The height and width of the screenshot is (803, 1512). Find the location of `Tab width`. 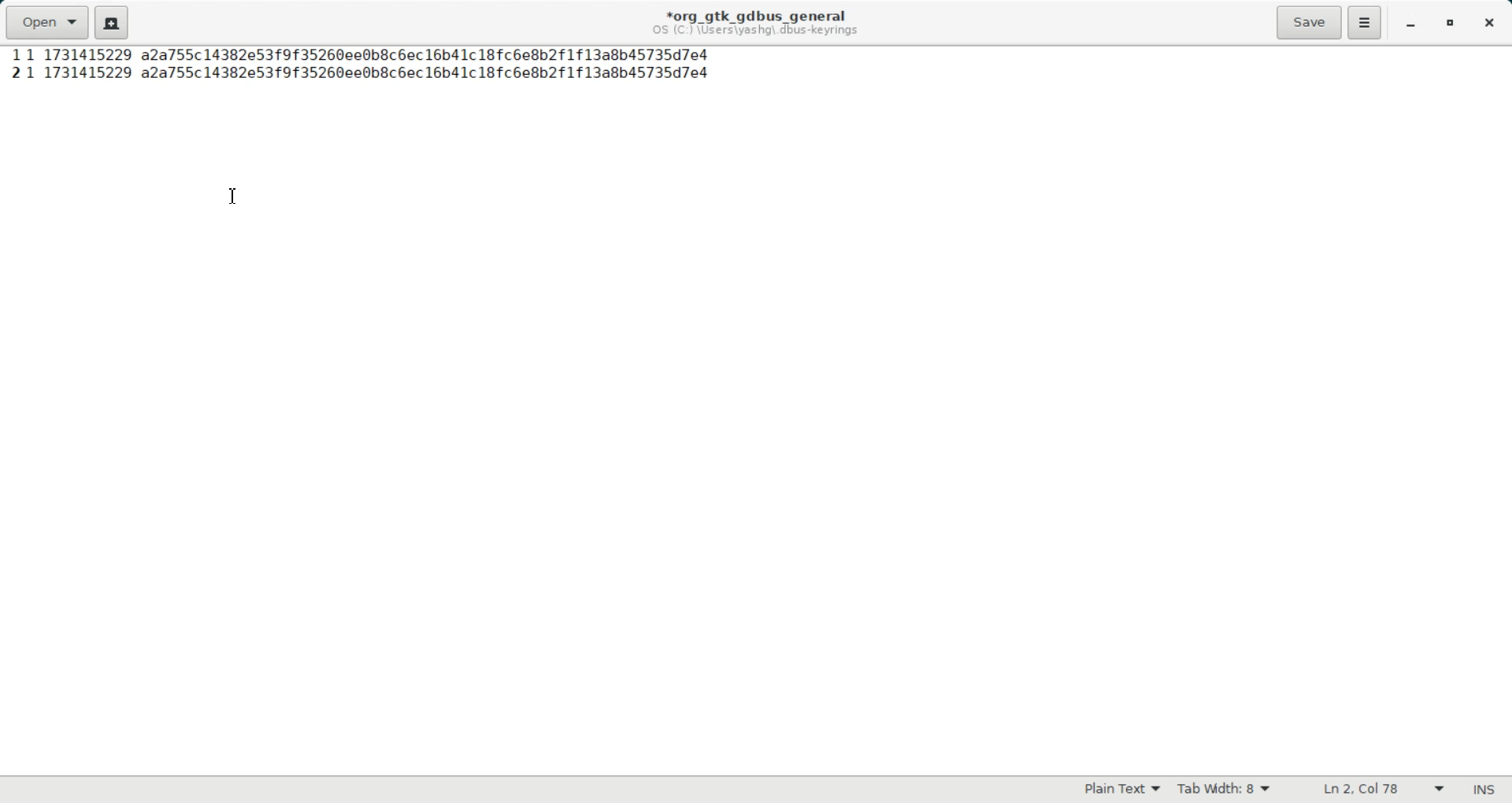

Tab width is located at coordinates (1225, 790).